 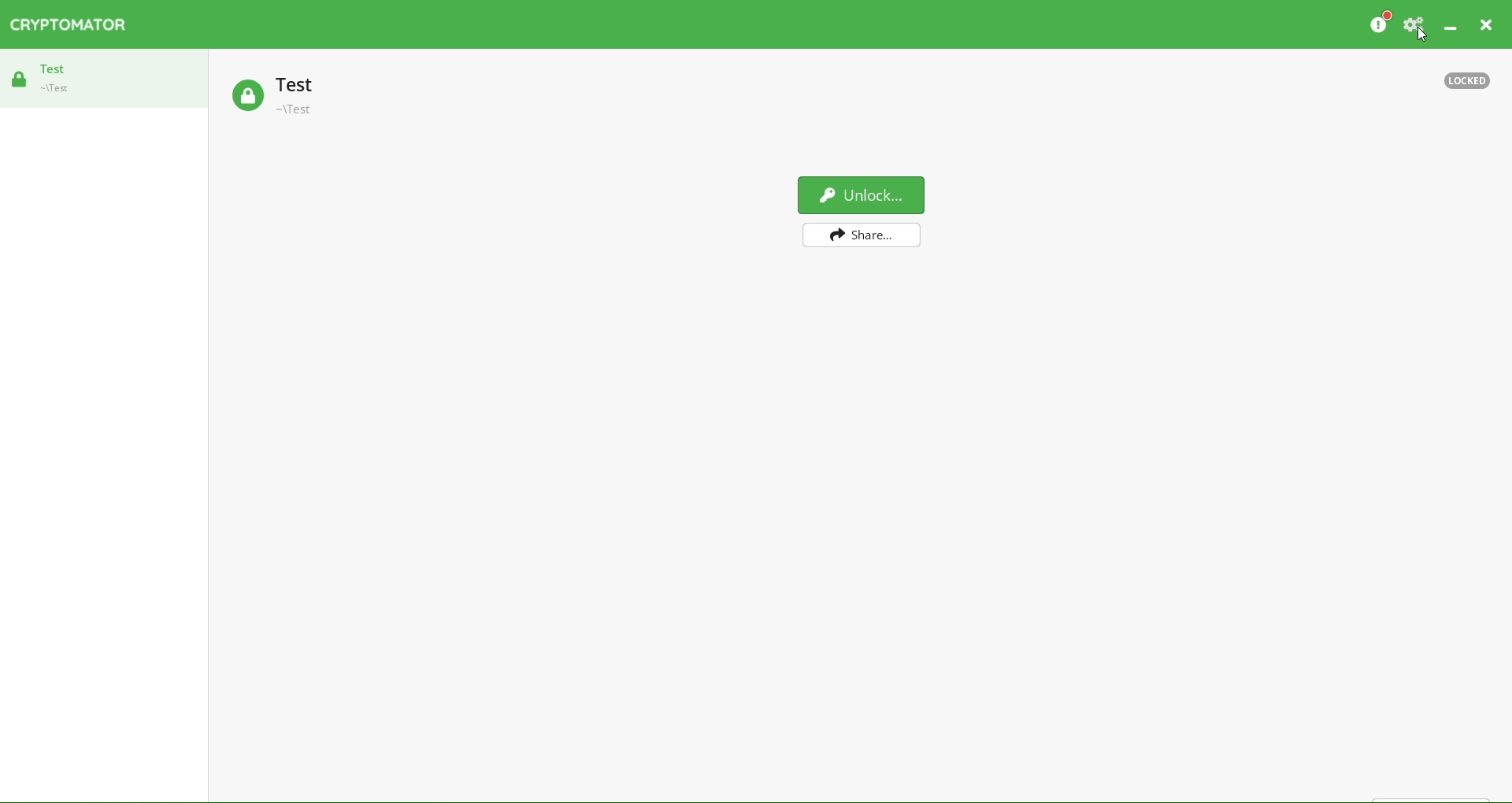 What do you see at coordinates (312, 96) in the screenshot?
I see `Test` at bounding box center [312, 96].